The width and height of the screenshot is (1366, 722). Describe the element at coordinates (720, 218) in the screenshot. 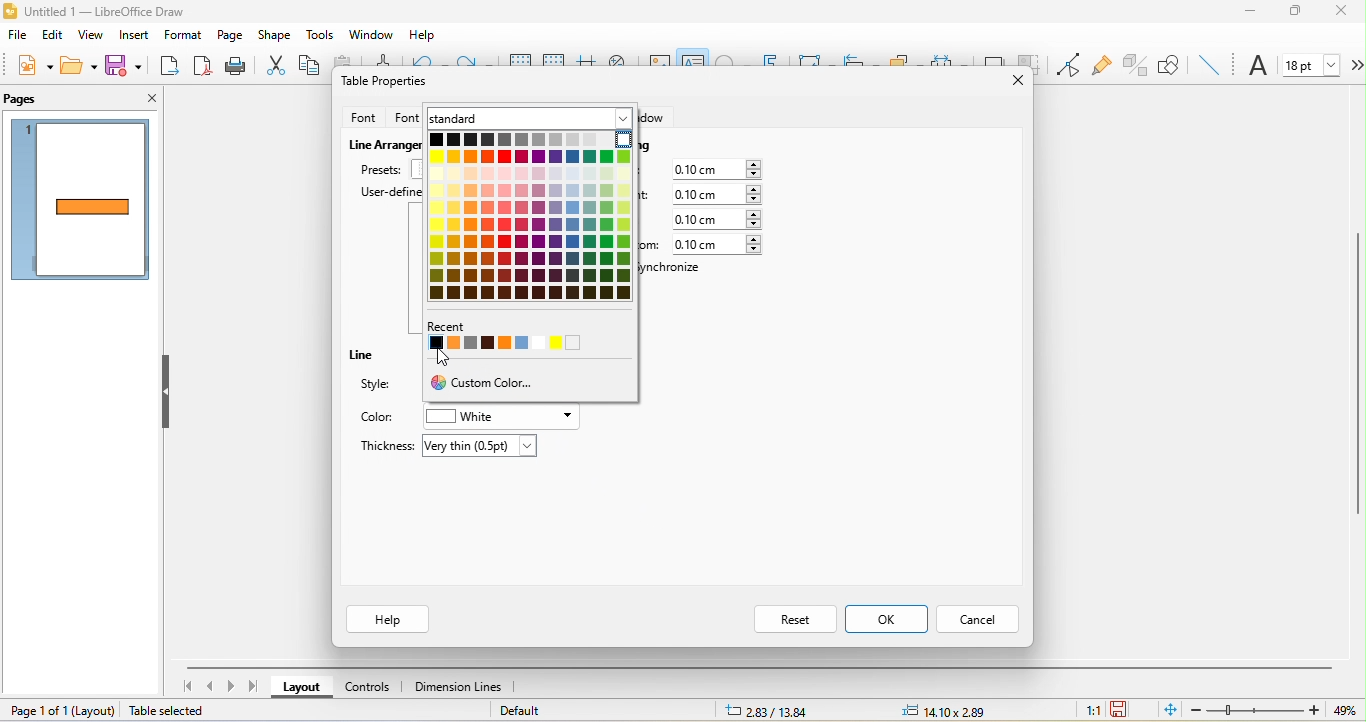

I see `0.10 cm` at that location.